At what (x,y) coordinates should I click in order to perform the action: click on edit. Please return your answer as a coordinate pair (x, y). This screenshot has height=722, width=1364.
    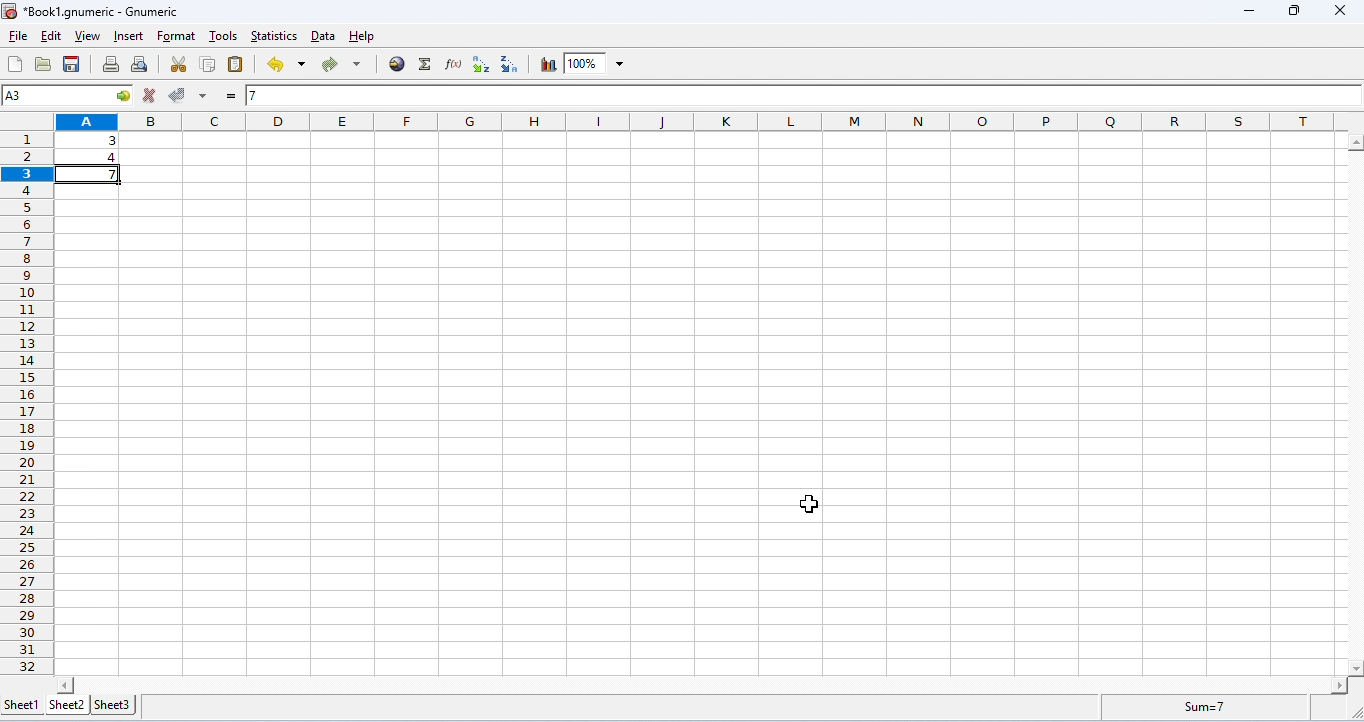
    Looking at the image, I should click on (52, 35).